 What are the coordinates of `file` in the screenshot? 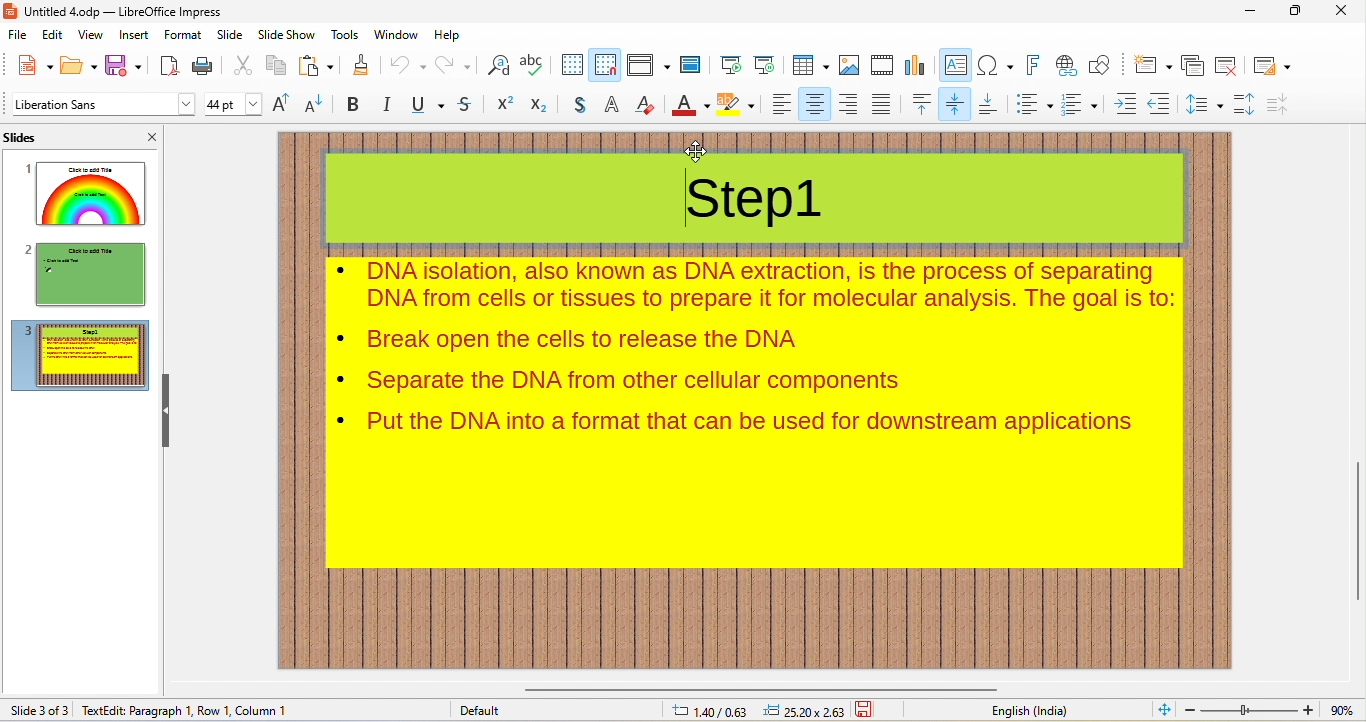 It's located at (19, 35).